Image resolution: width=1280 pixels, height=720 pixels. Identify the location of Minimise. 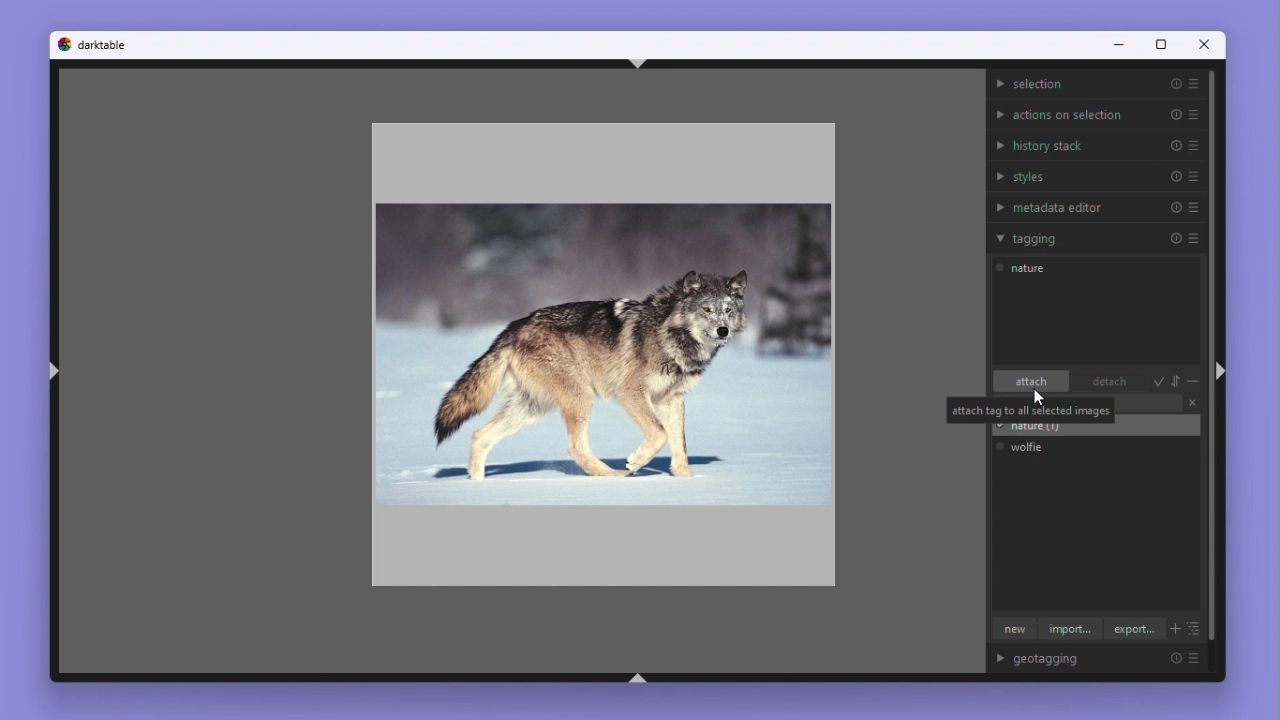
(1194, 383).